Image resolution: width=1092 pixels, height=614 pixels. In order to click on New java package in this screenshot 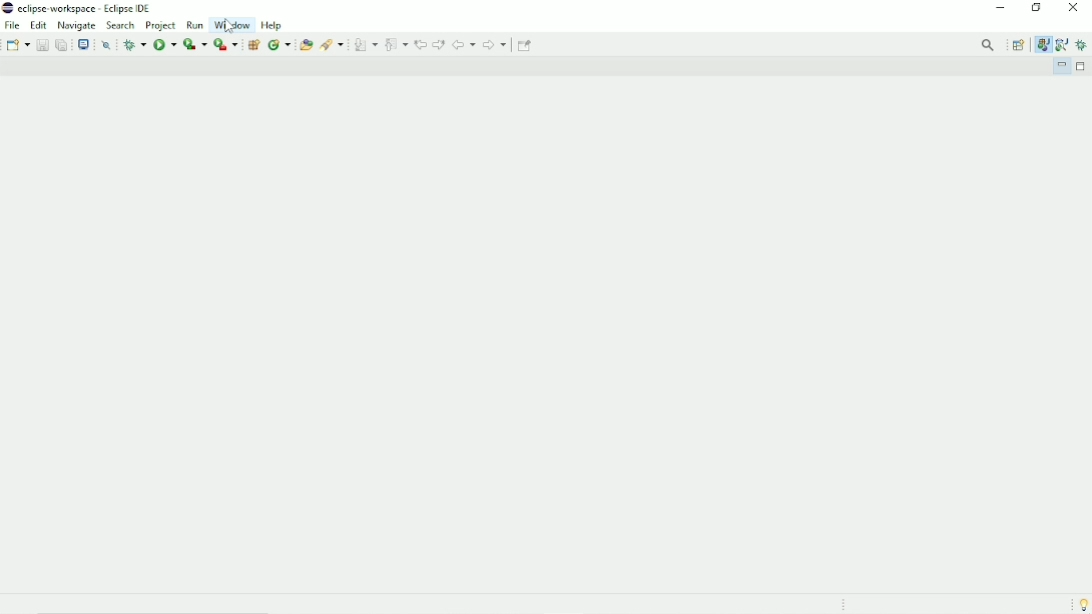, I will do `click(253, 45)`.